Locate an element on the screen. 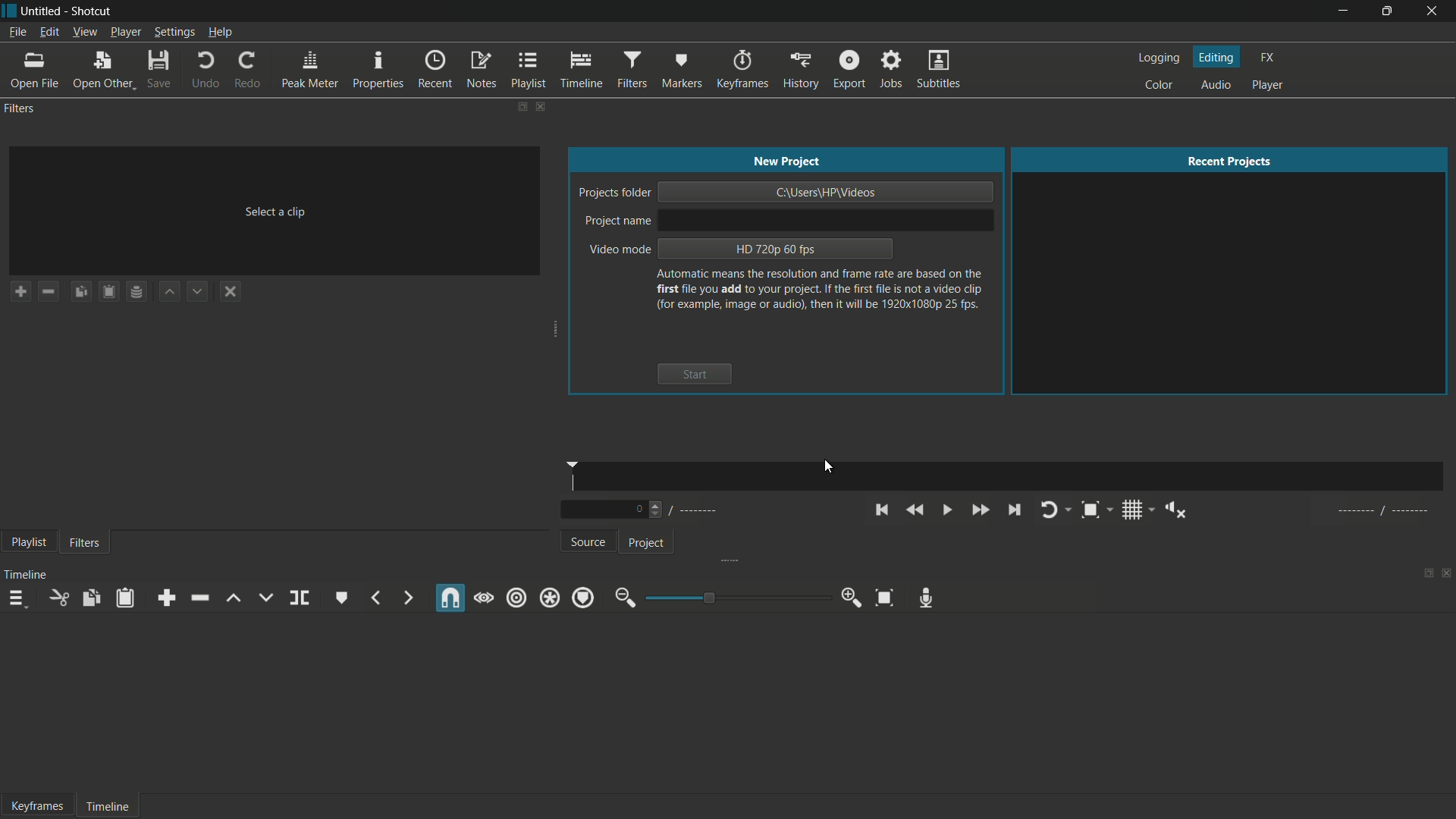 The height and width of the screenshot is (819, 1456). filters is located at coordinates (21, 108).